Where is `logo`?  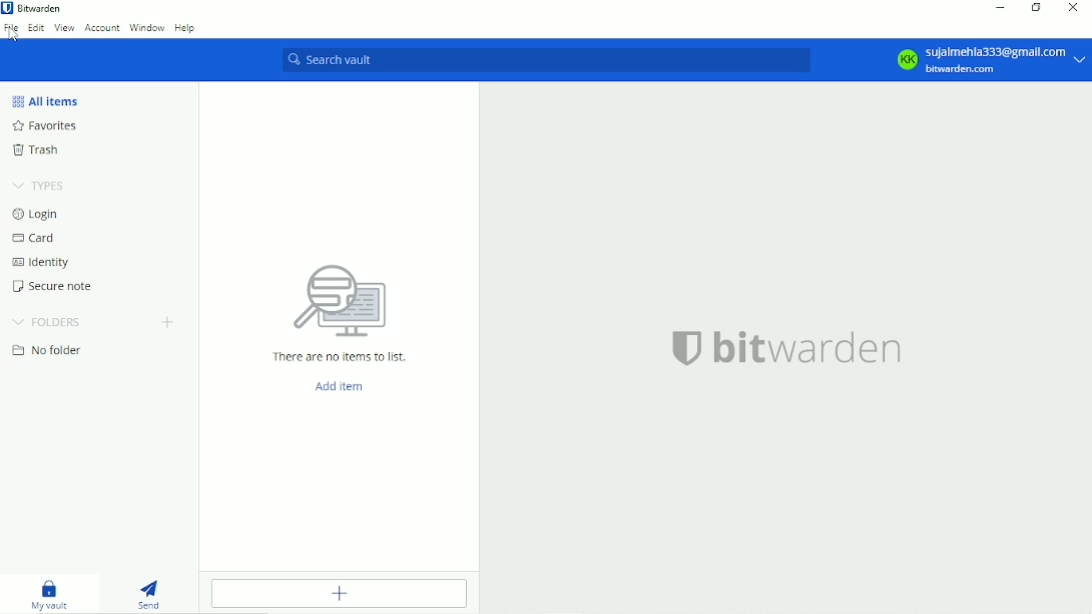
logo is located at coordinates (681, 349).